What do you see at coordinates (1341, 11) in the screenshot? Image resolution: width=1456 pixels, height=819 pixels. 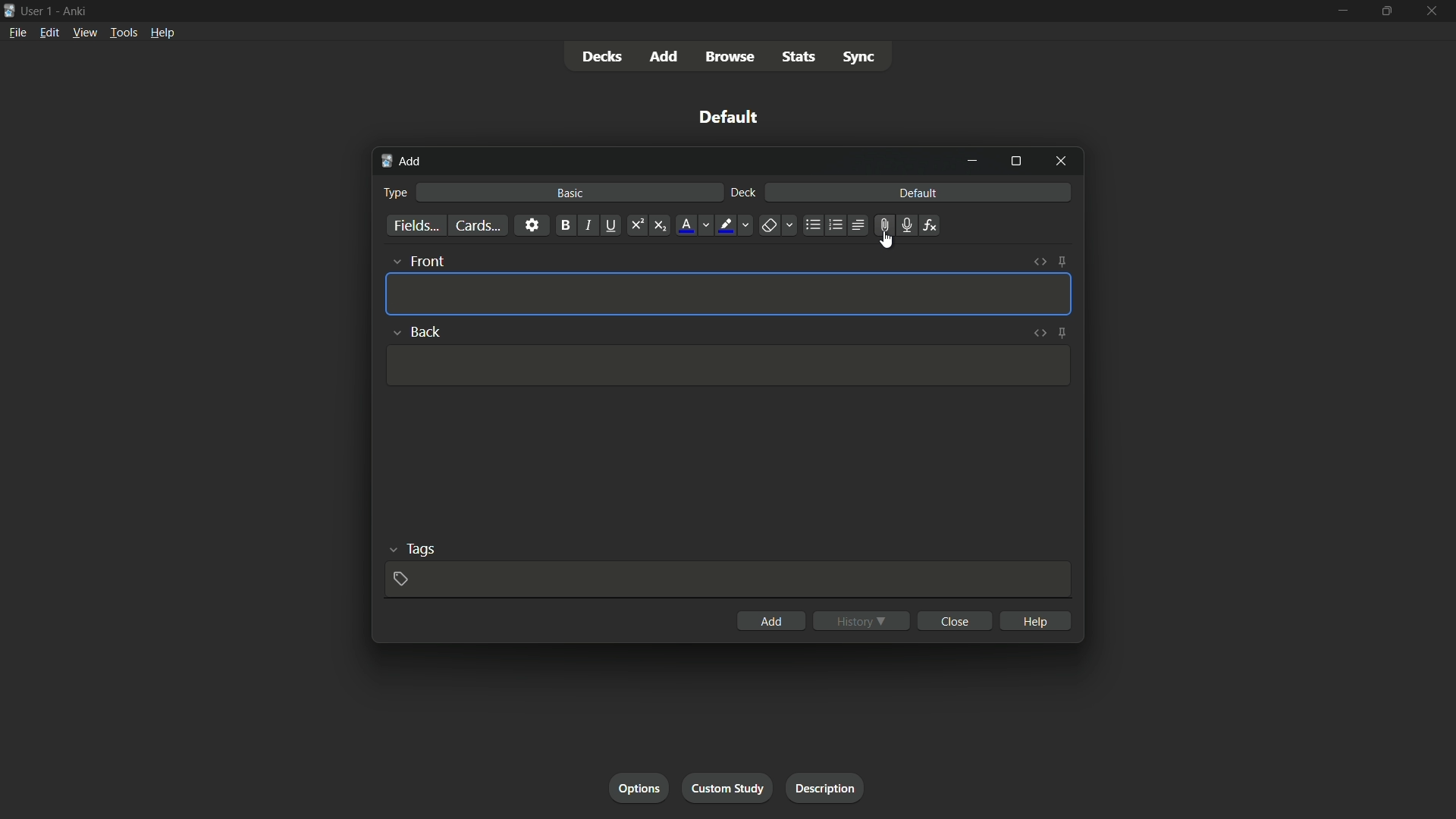 I see `minimize` at bounding box center [1341, 11].